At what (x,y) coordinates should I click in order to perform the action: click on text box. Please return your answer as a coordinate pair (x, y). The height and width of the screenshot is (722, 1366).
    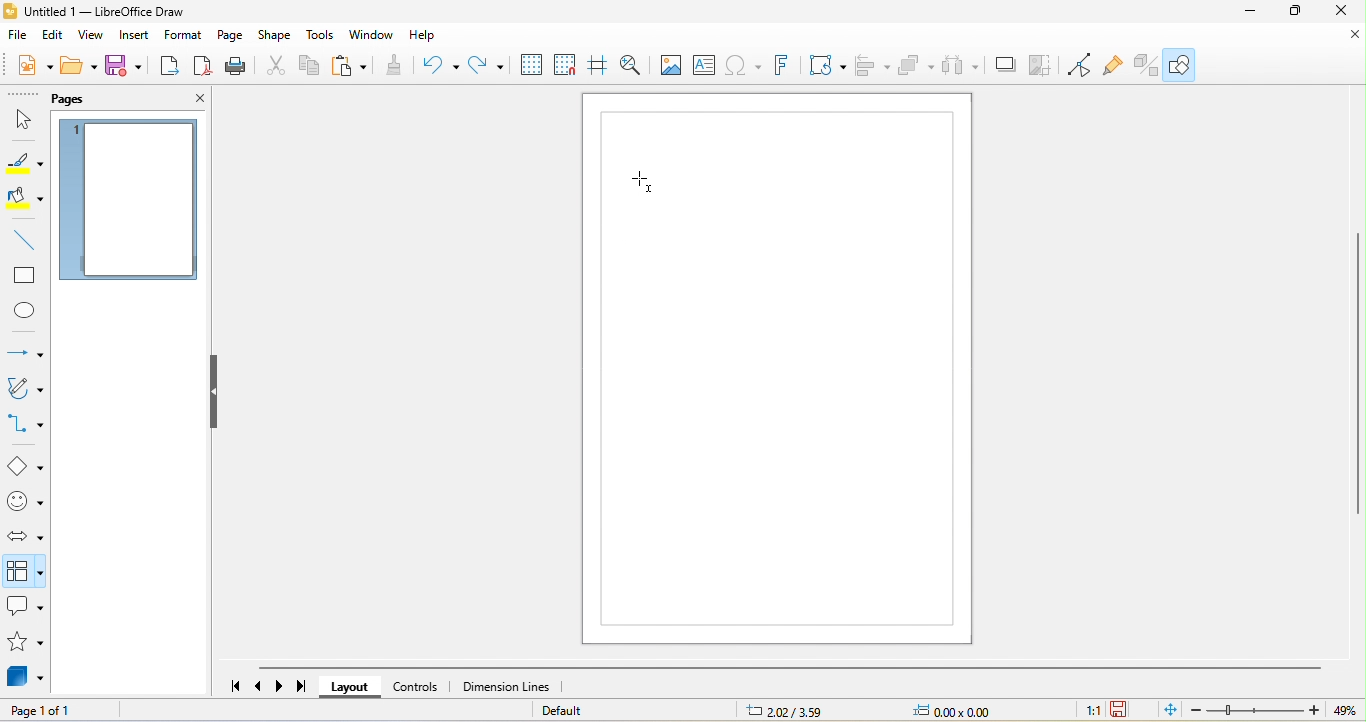
    Looking at the image, I should click on (704, 65).